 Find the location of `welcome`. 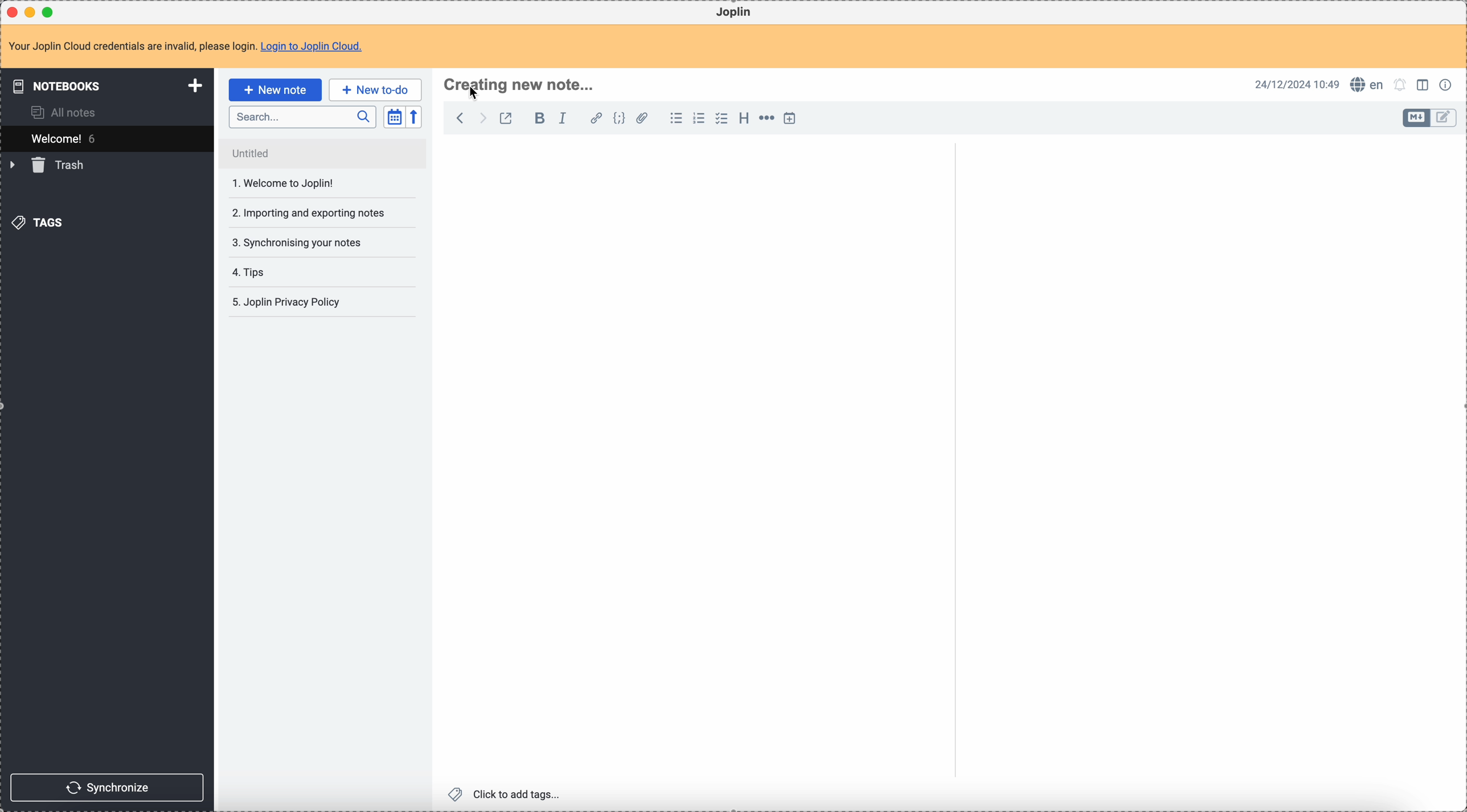

welcome is located at coordinates (106, 138).